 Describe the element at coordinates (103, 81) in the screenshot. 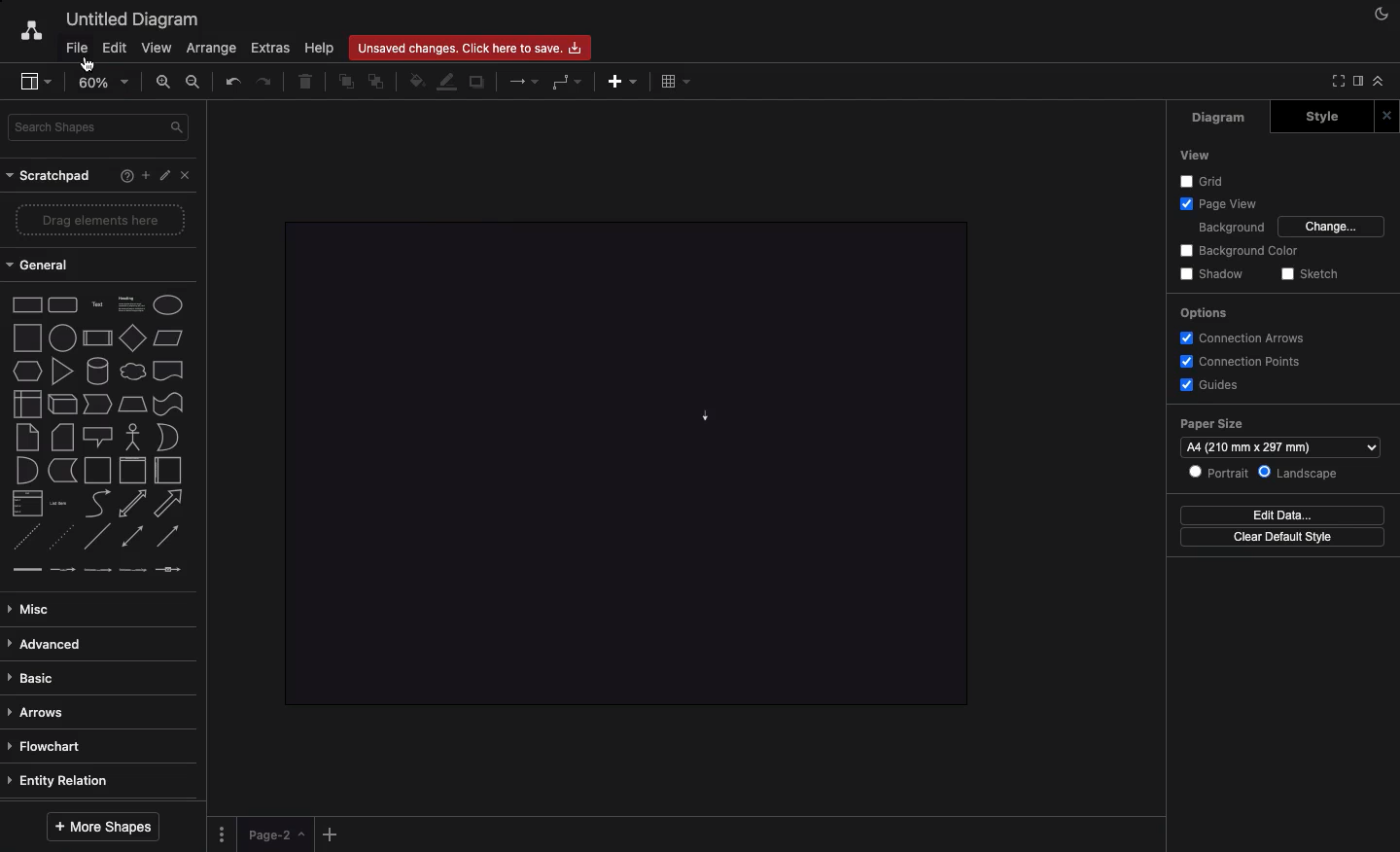

I see `Zoom` at that location.